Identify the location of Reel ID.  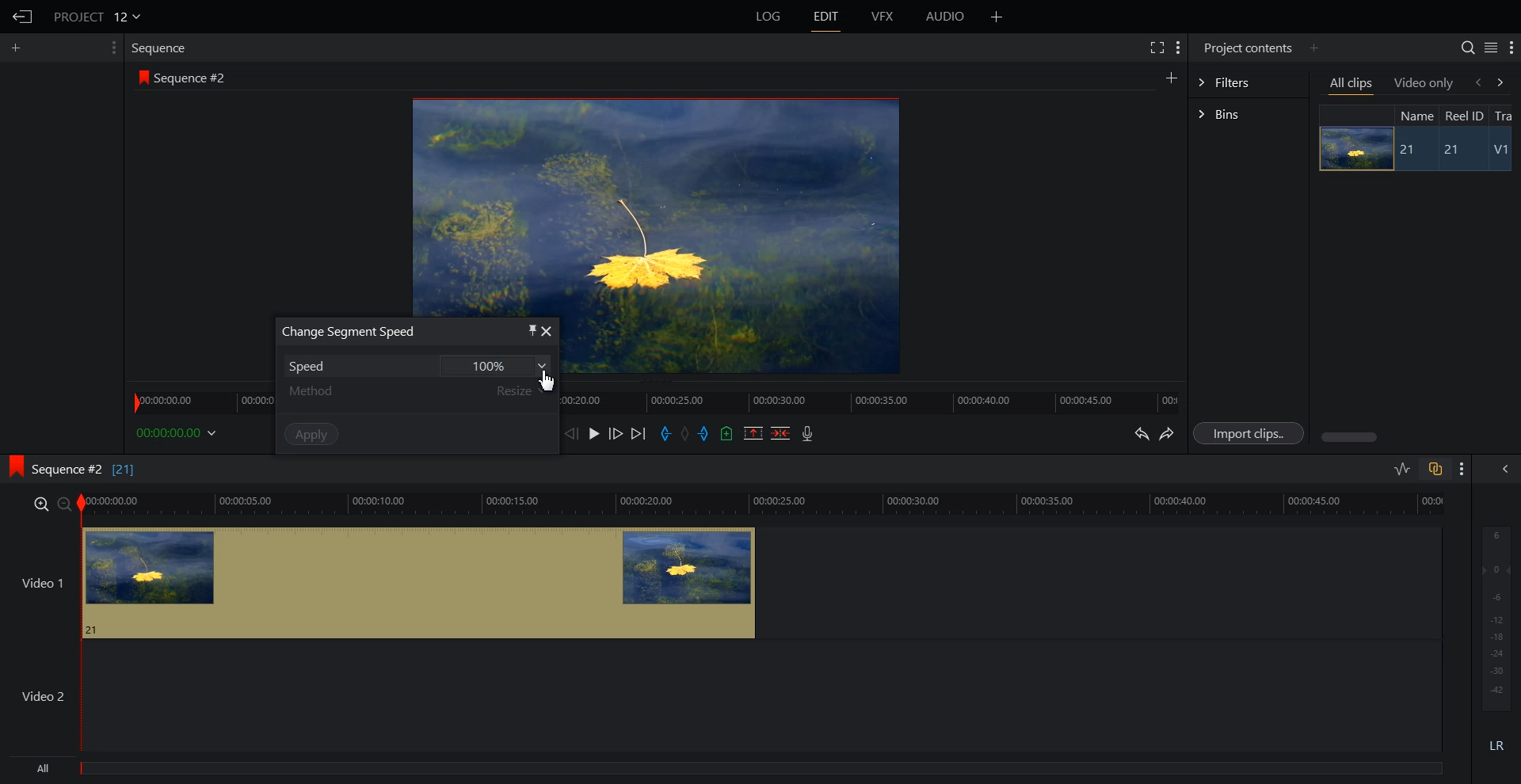
(1463, 116).